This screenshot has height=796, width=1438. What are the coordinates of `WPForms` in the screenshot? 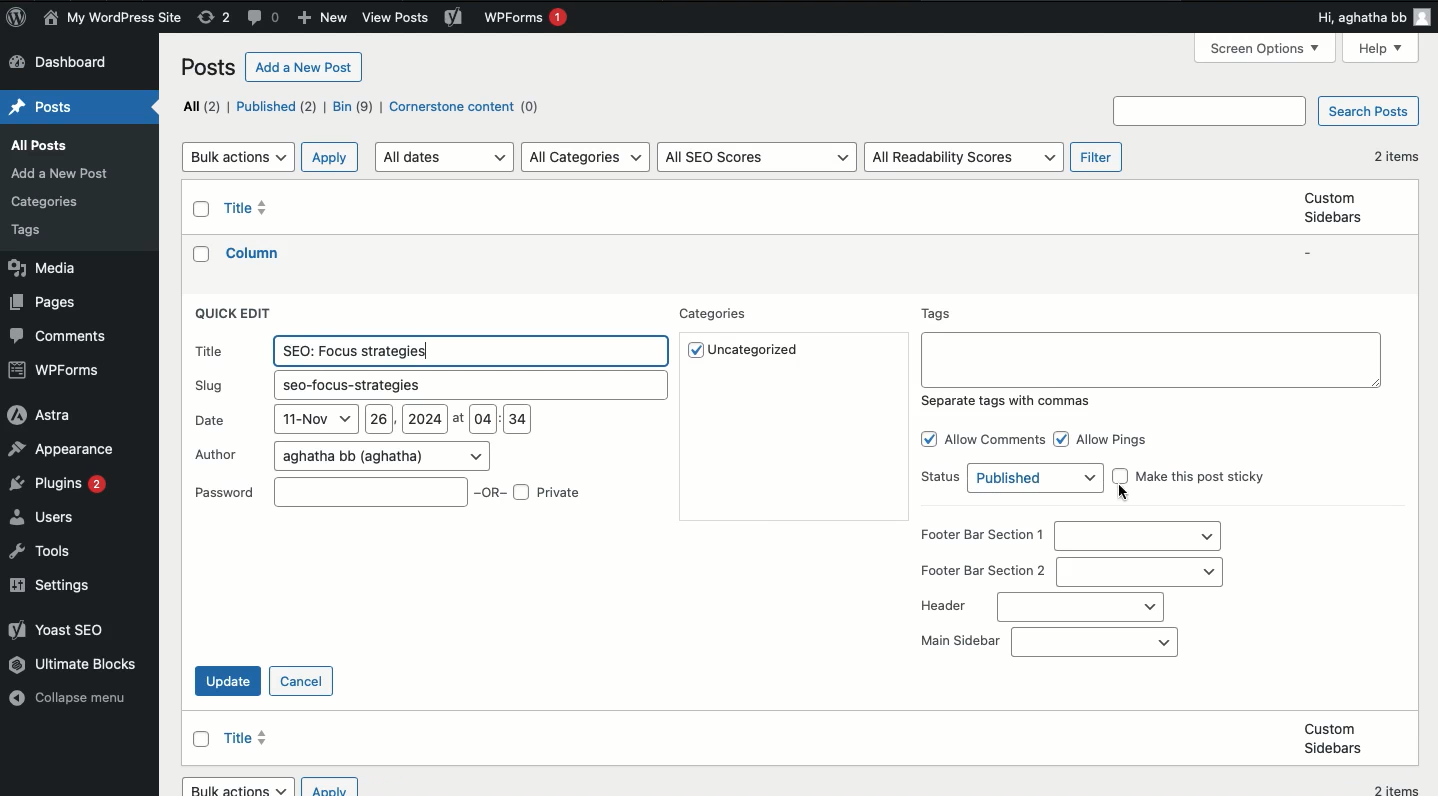 It's located at (56, 369).